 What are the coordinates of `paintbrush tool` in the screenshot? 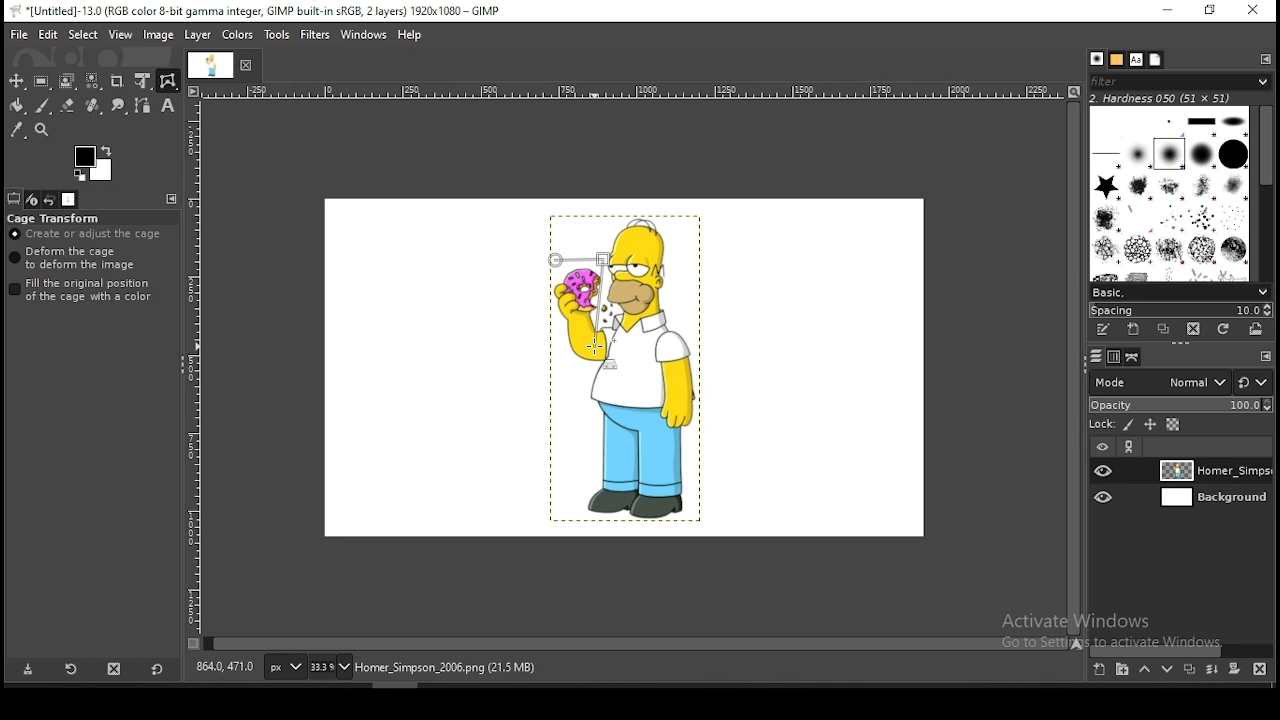 It's located at (42, 106).